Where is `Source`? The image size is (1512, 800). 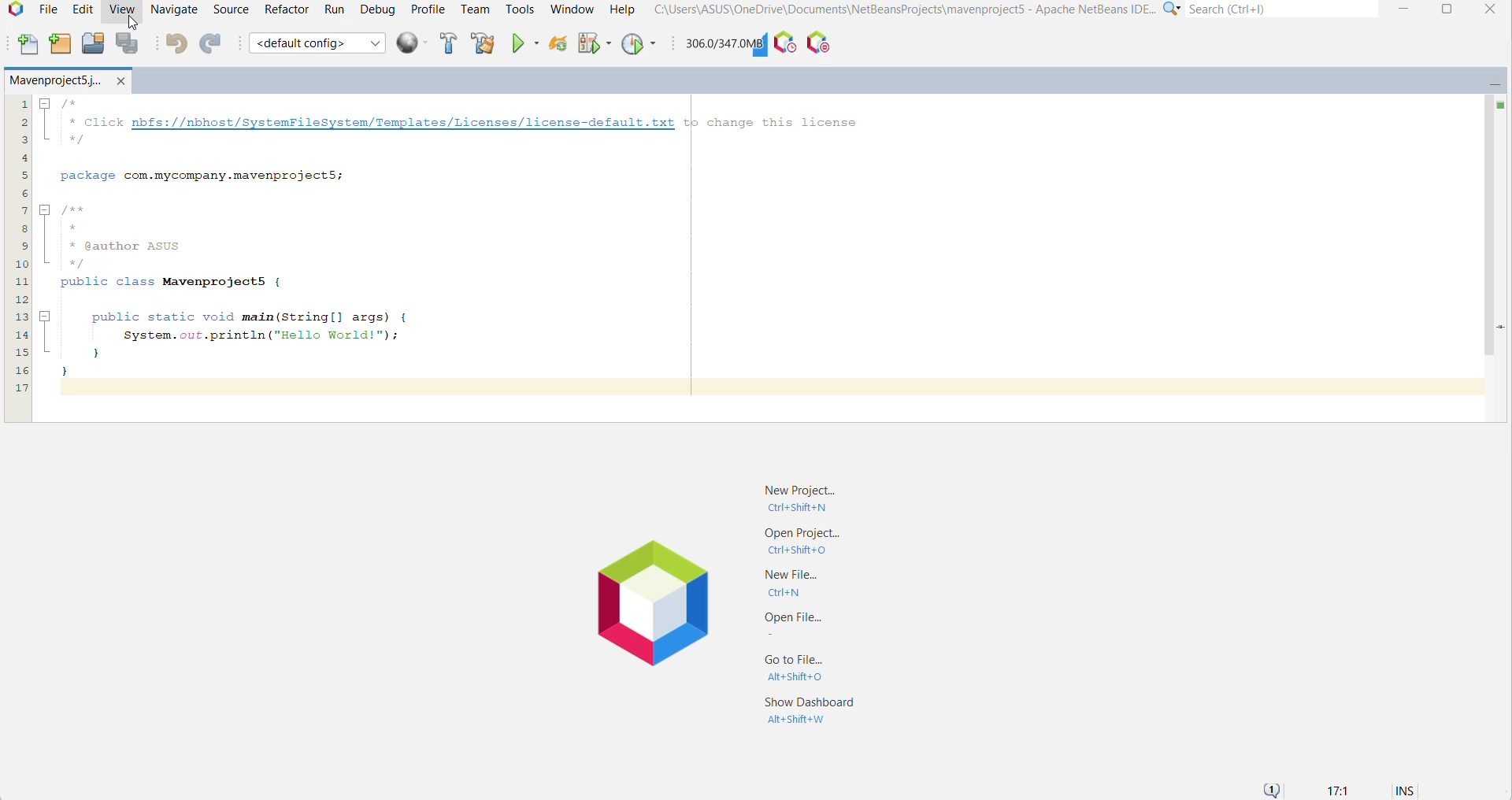 Source is located at coordinates (232, 10).